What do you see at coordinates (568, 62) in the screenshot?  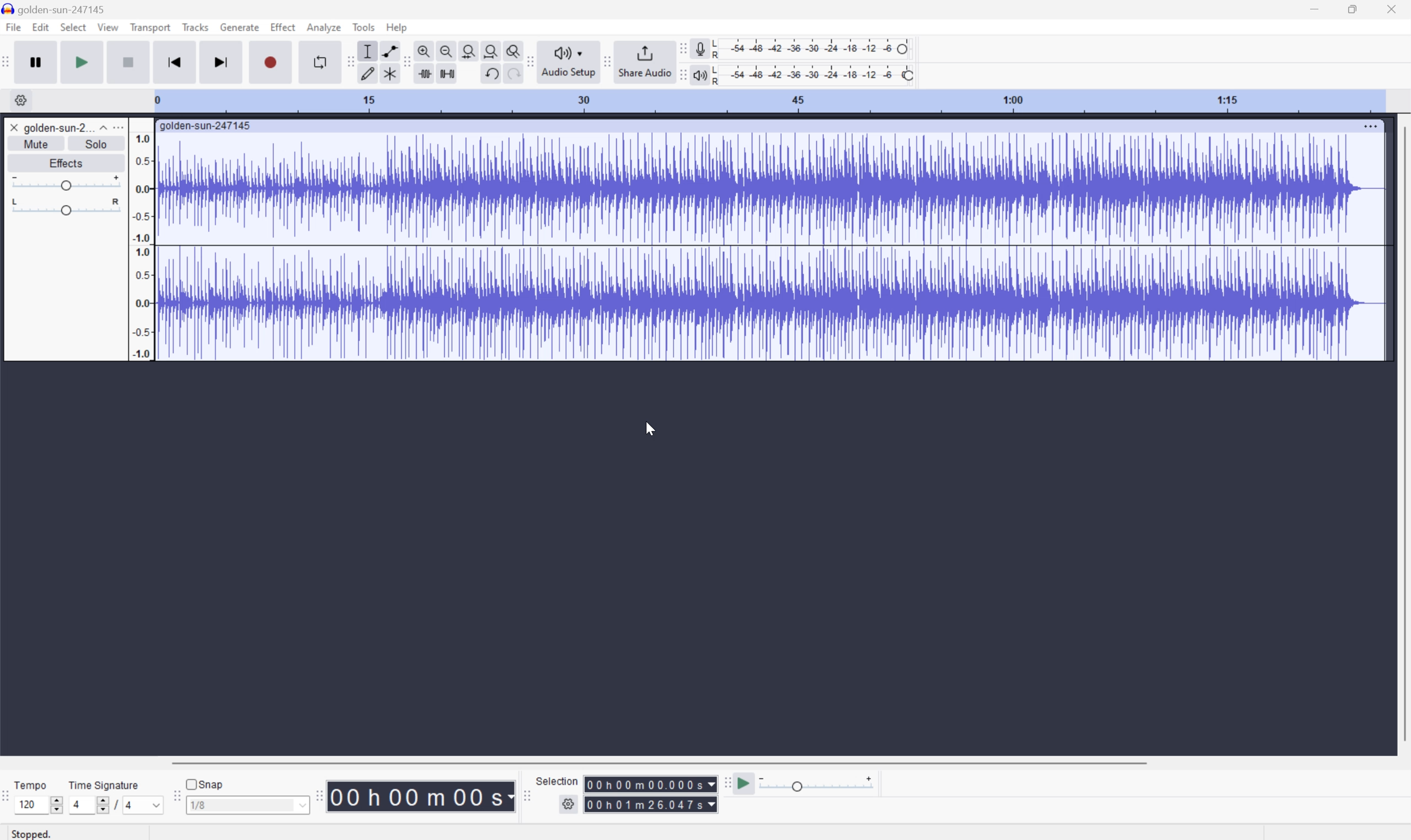 I see `Audio Setup` at bounding box center [568, 62].